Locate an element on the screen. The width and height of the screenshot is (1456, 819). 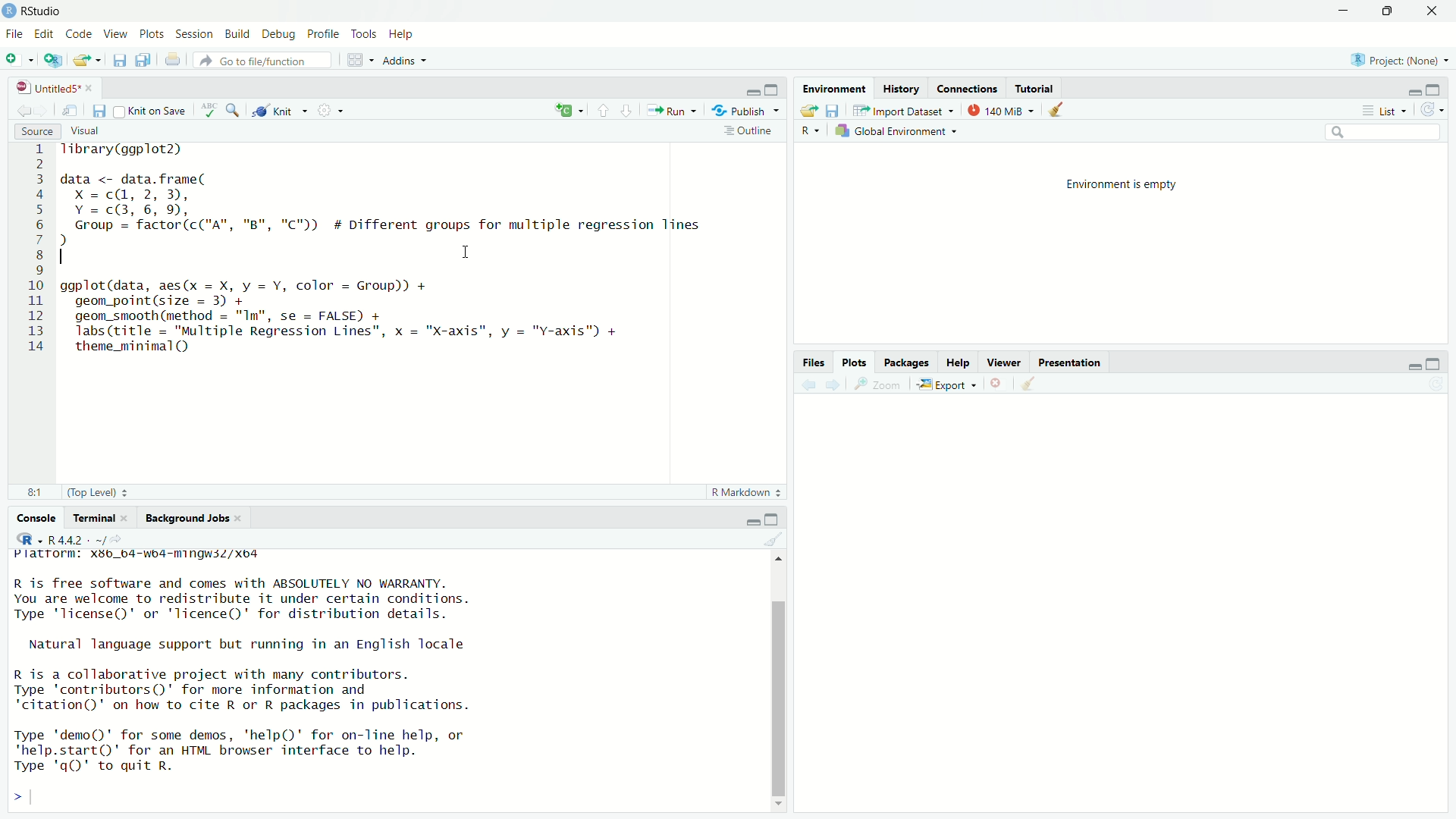
81 (Top Level) : is located at coordinates (71, 491).